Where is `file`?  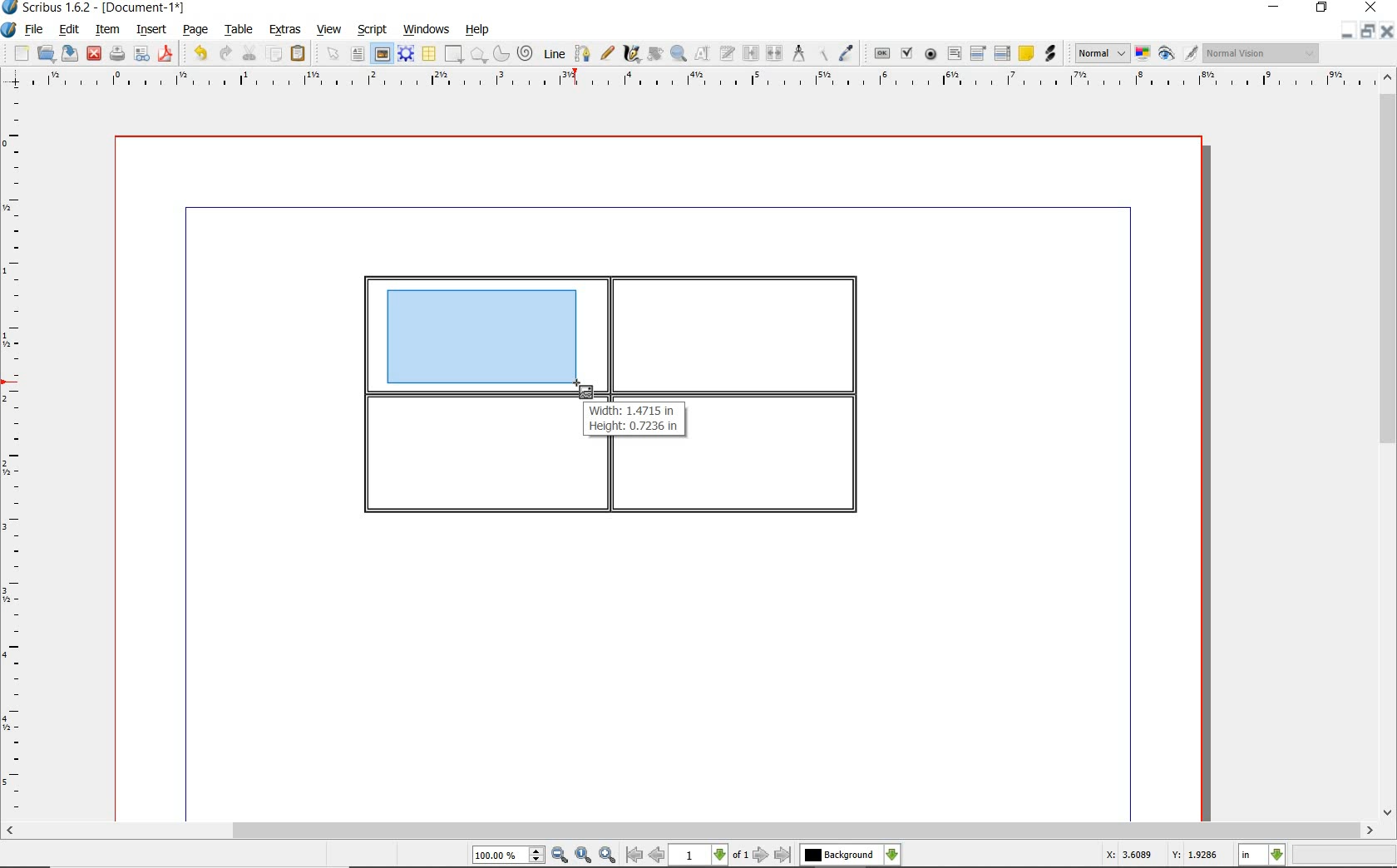 file is located at coordinates (35, 31).